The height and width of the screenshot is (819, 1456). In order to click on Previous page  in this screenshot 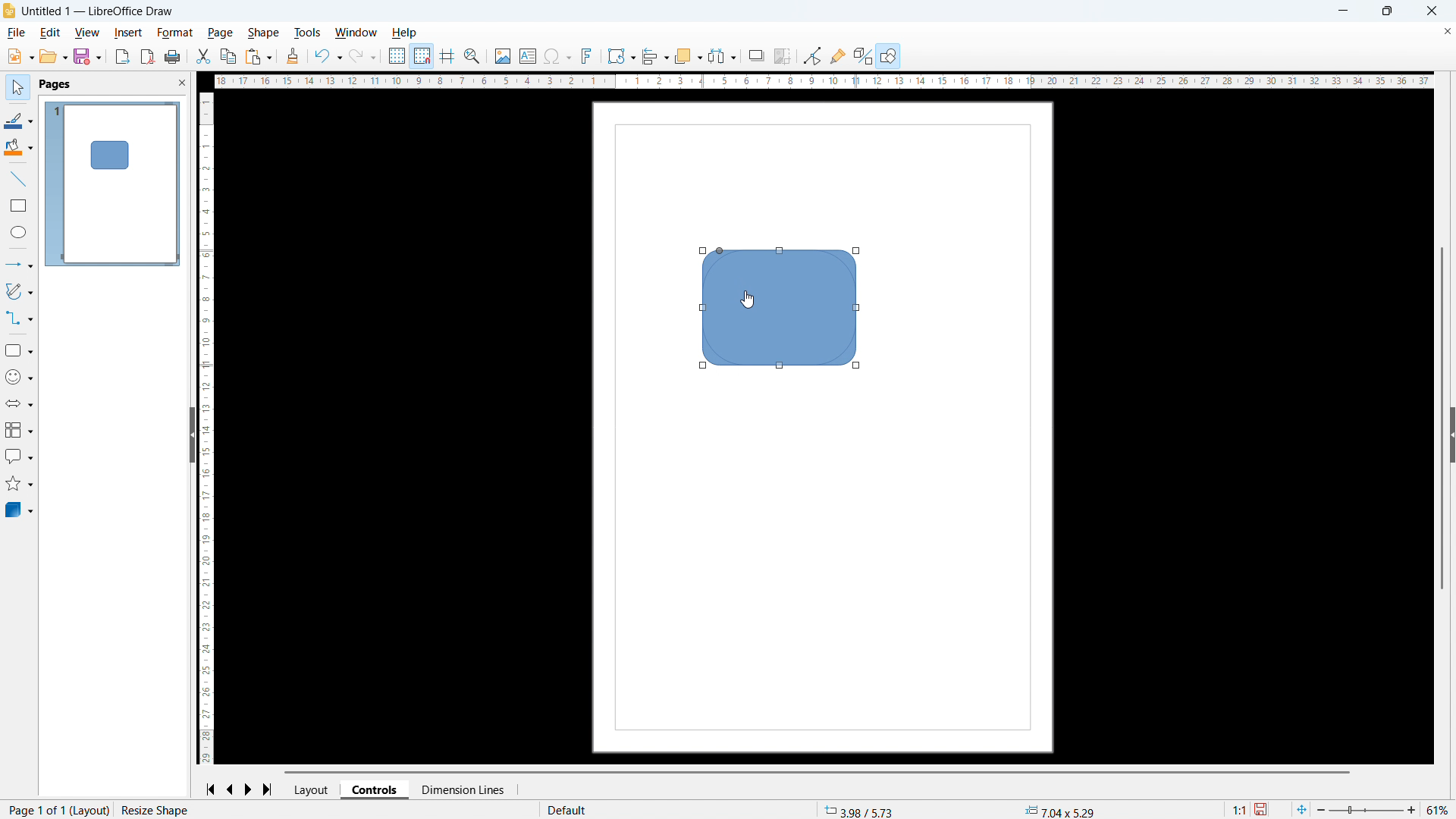, I will do `click(230, 789)`.